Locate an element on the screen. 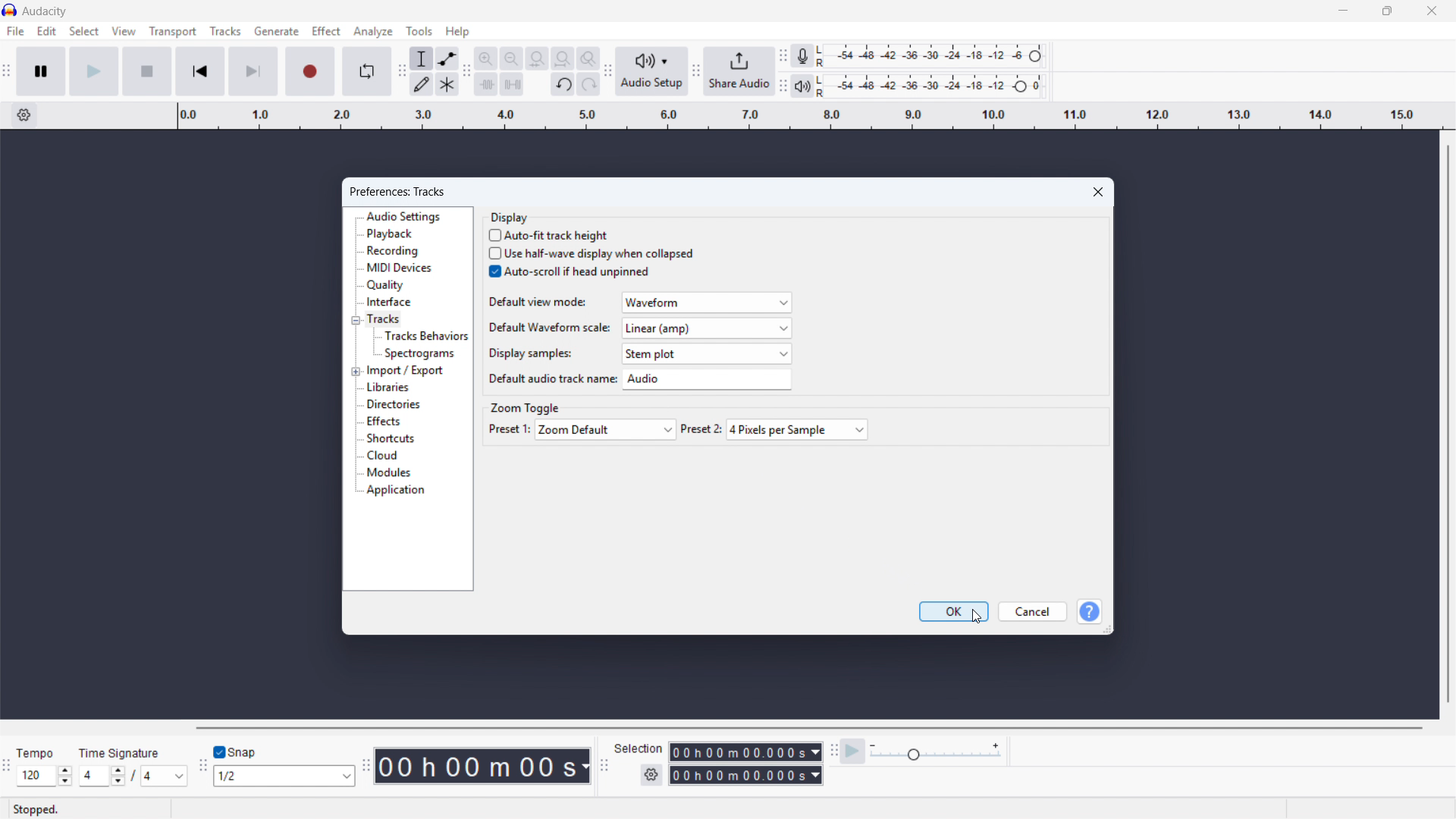 The width and height of the screenshot is (1456, 819). diplay samples is located at coordinates (639, 353).